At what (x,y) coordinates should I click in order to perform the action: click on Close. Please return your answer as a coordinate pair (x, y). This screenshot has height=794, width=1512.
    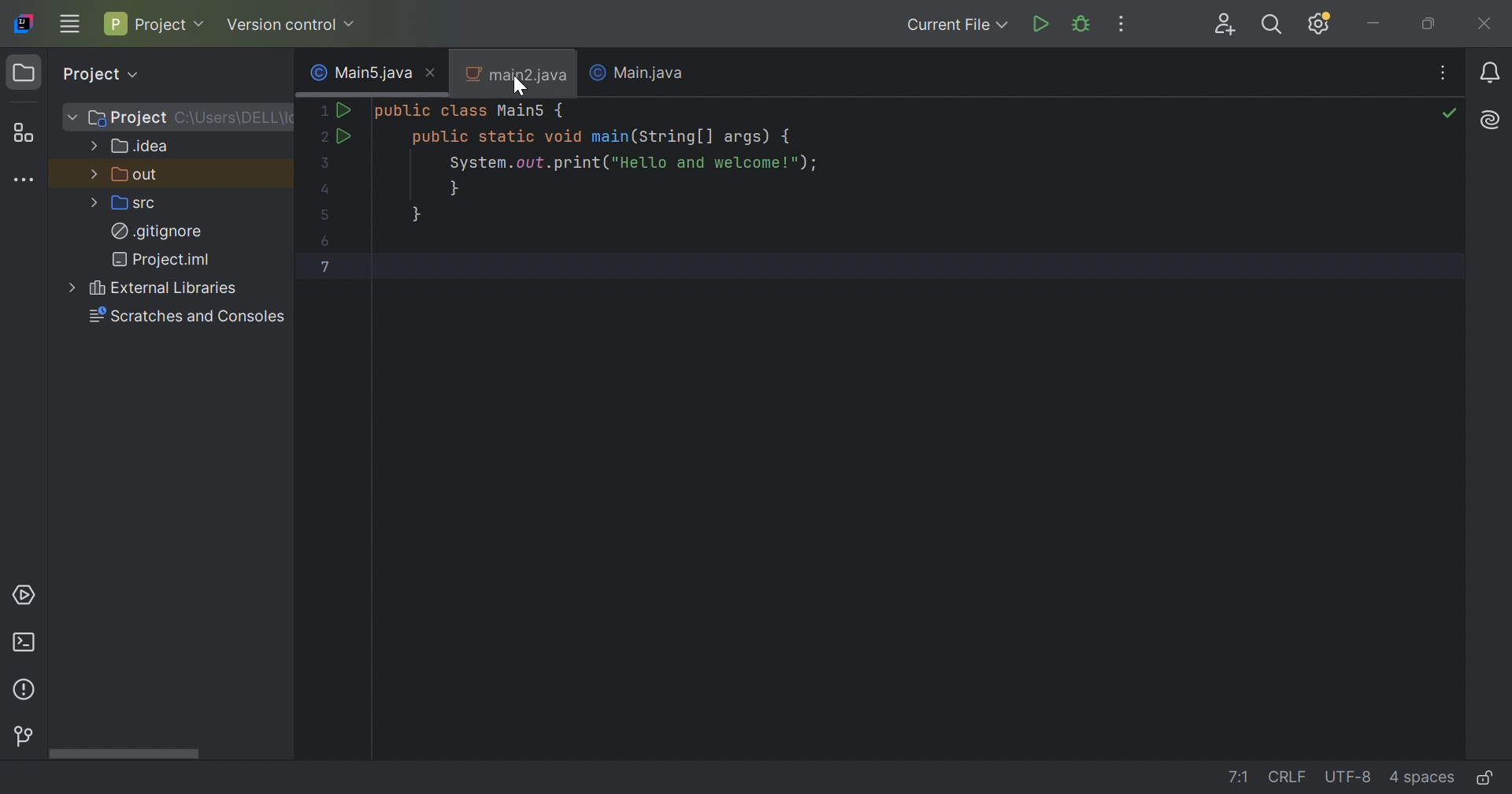
    Looking at the image, I should click on (1486, 24).